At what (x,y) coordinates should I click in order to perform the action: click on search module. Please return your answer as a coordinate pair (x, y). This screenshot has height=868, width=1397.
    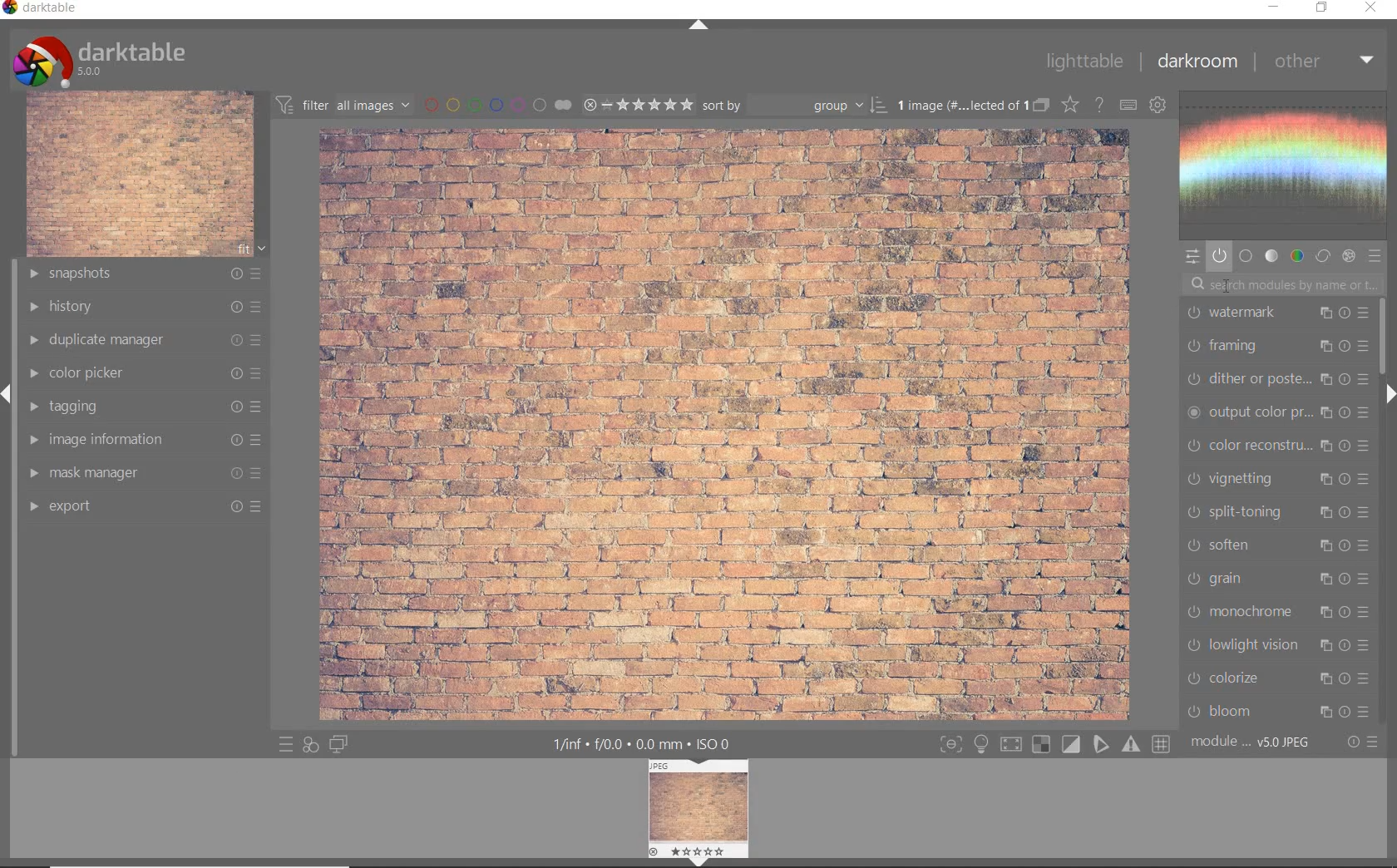
    Looking at the image, I should click on (1283, 287).